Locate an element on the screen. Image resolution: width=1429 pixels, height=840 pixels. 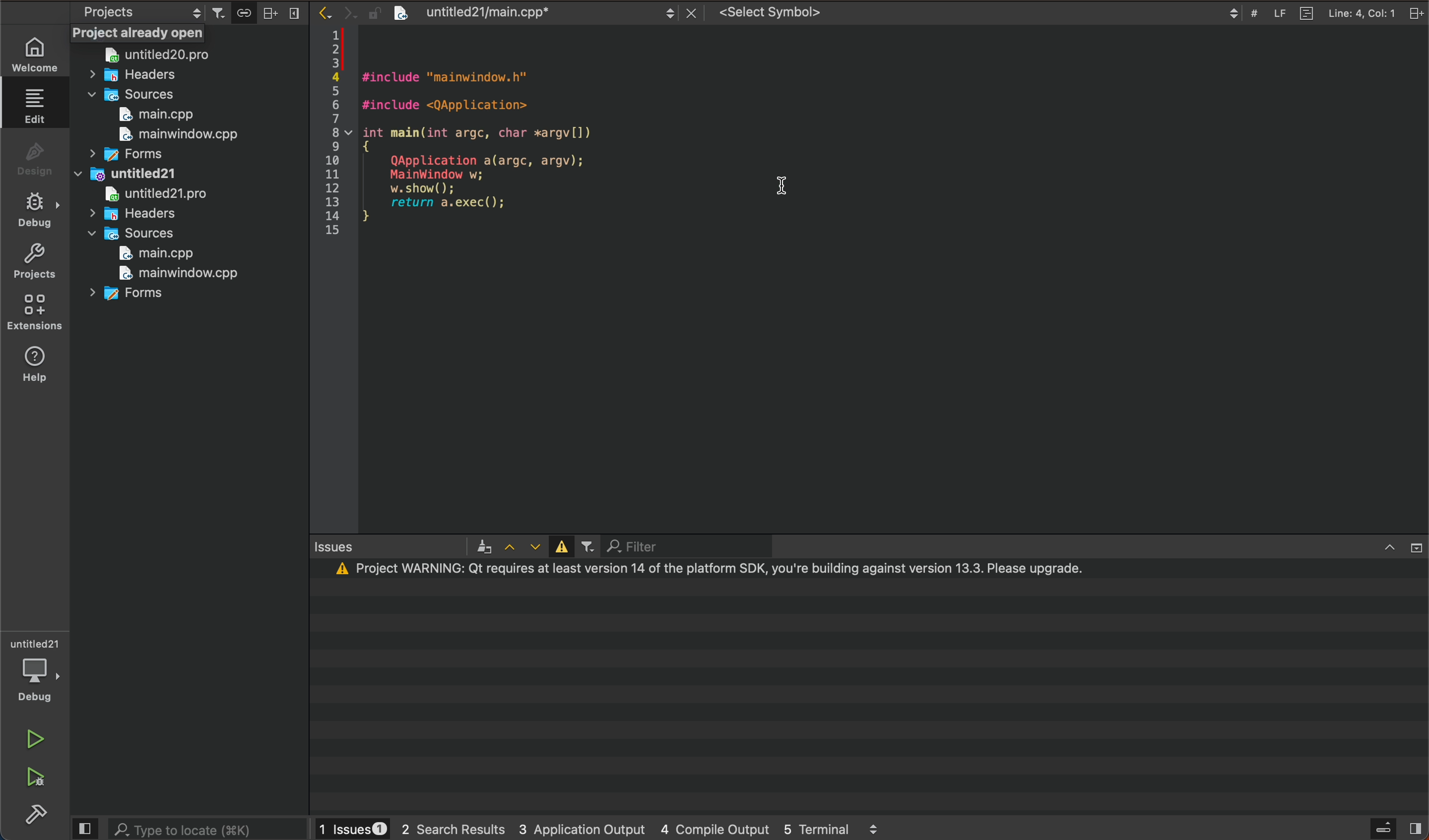
file tab is located at coordinates (534, 12).